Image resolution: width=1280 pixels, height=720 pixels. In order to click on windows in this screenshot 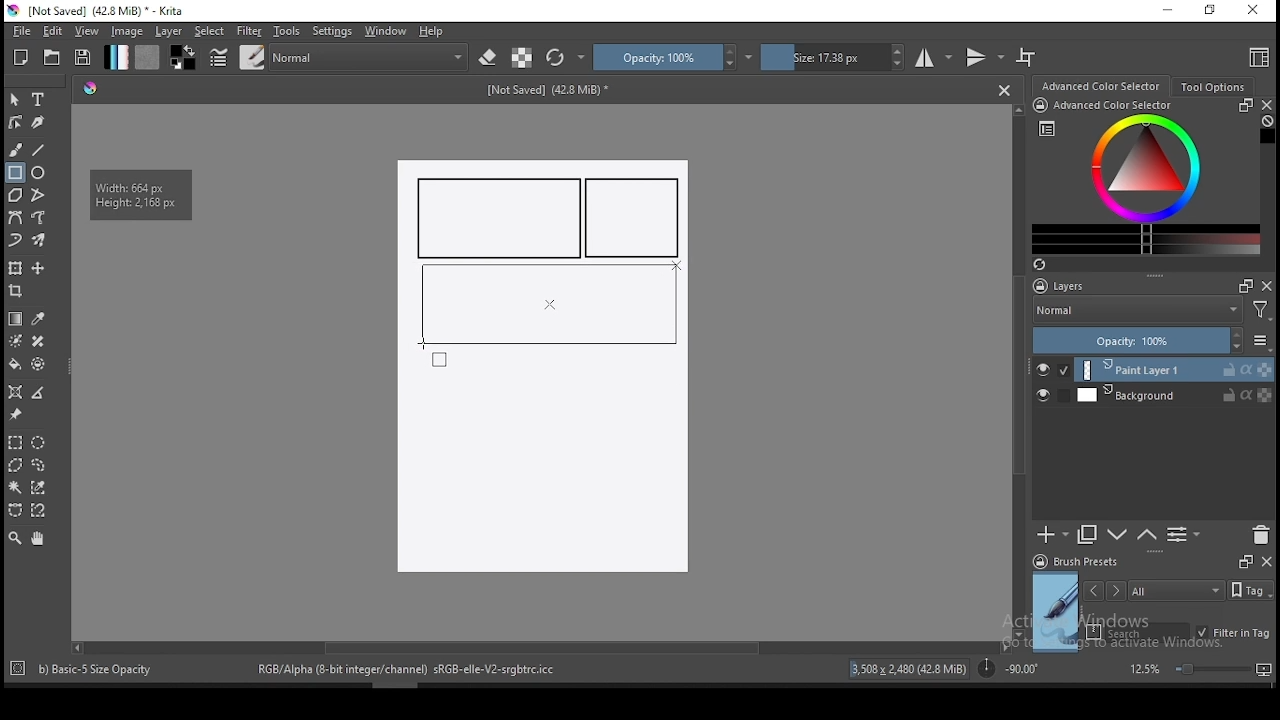, I will do `click(386, 31)`.